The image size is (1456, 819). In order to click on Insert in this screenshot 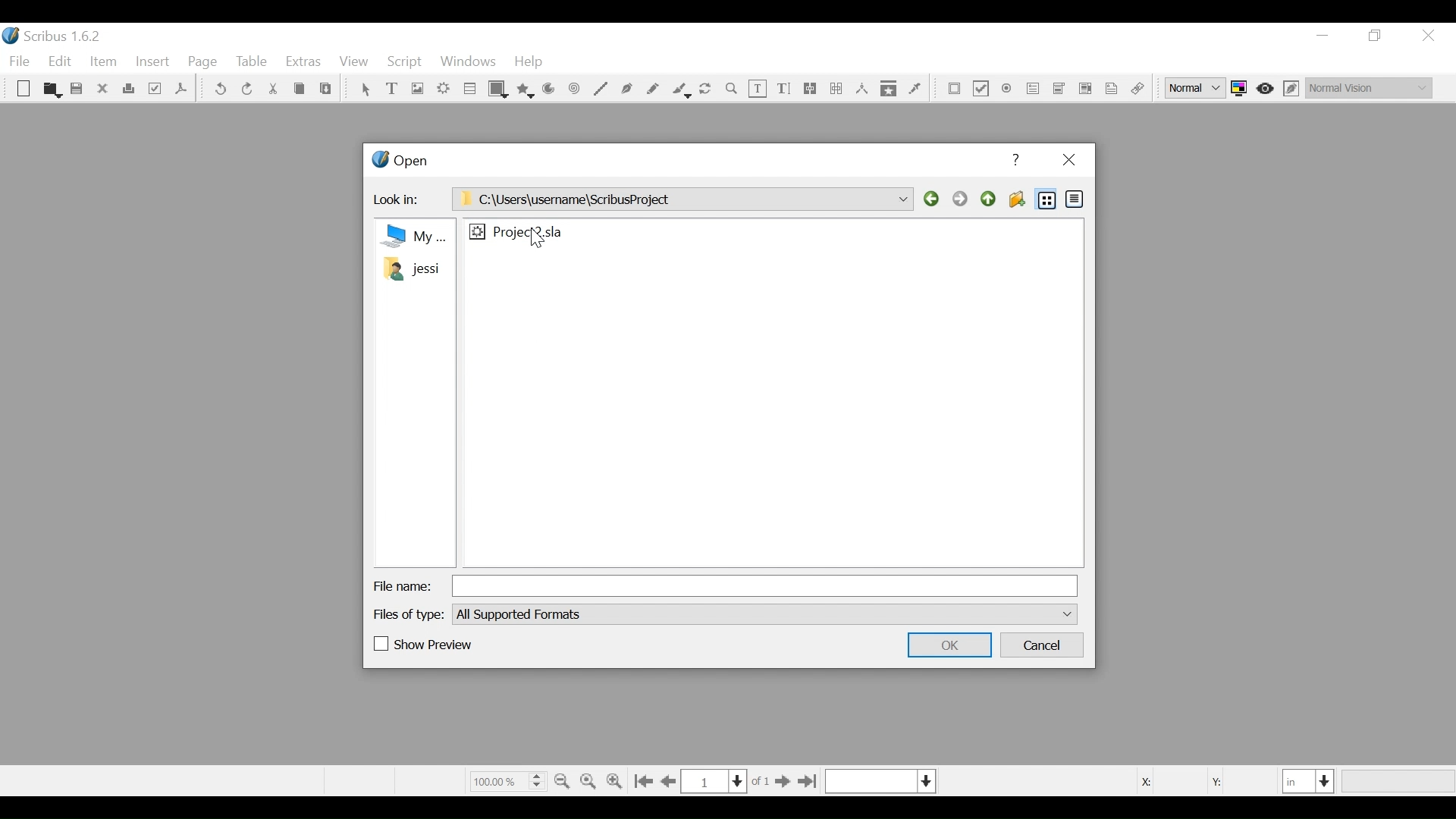, I will do `click(153, 64)`.